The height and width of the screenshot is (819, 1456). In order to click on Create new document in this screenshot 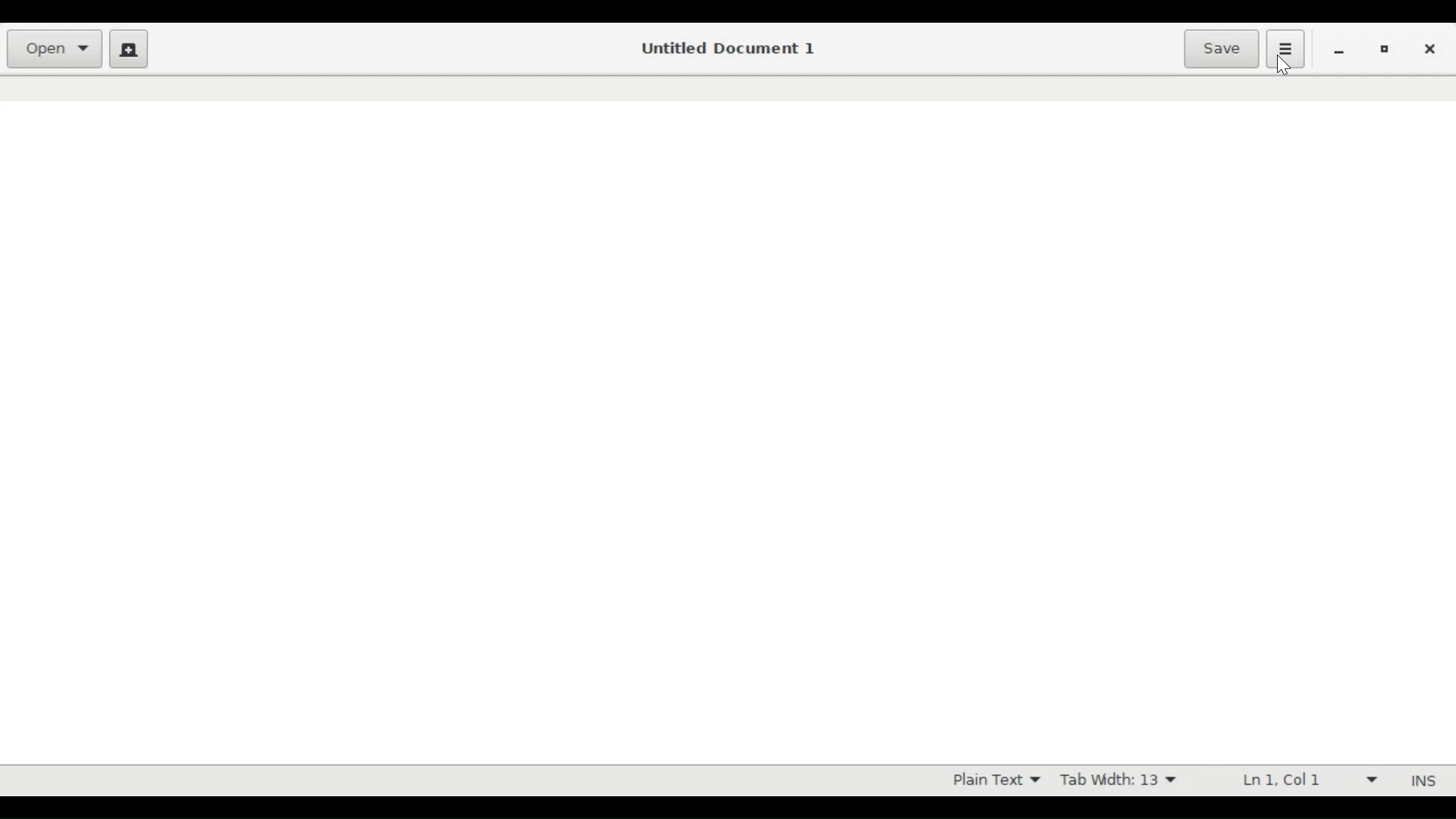, I will do `click(130, 49)`.